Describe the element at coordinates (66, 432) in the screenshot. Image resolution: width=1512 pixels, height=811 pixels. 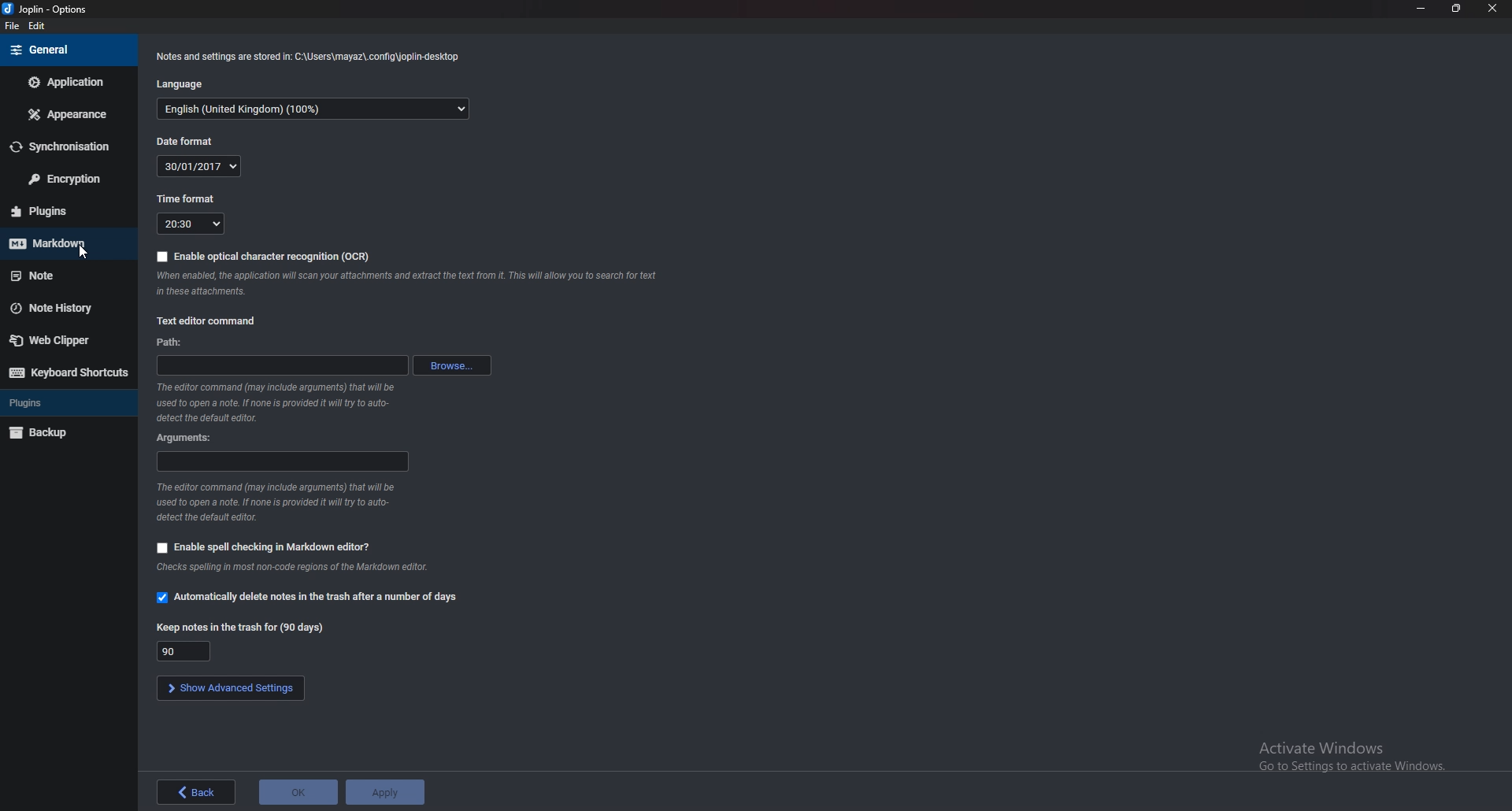
I see `backup` at that location.